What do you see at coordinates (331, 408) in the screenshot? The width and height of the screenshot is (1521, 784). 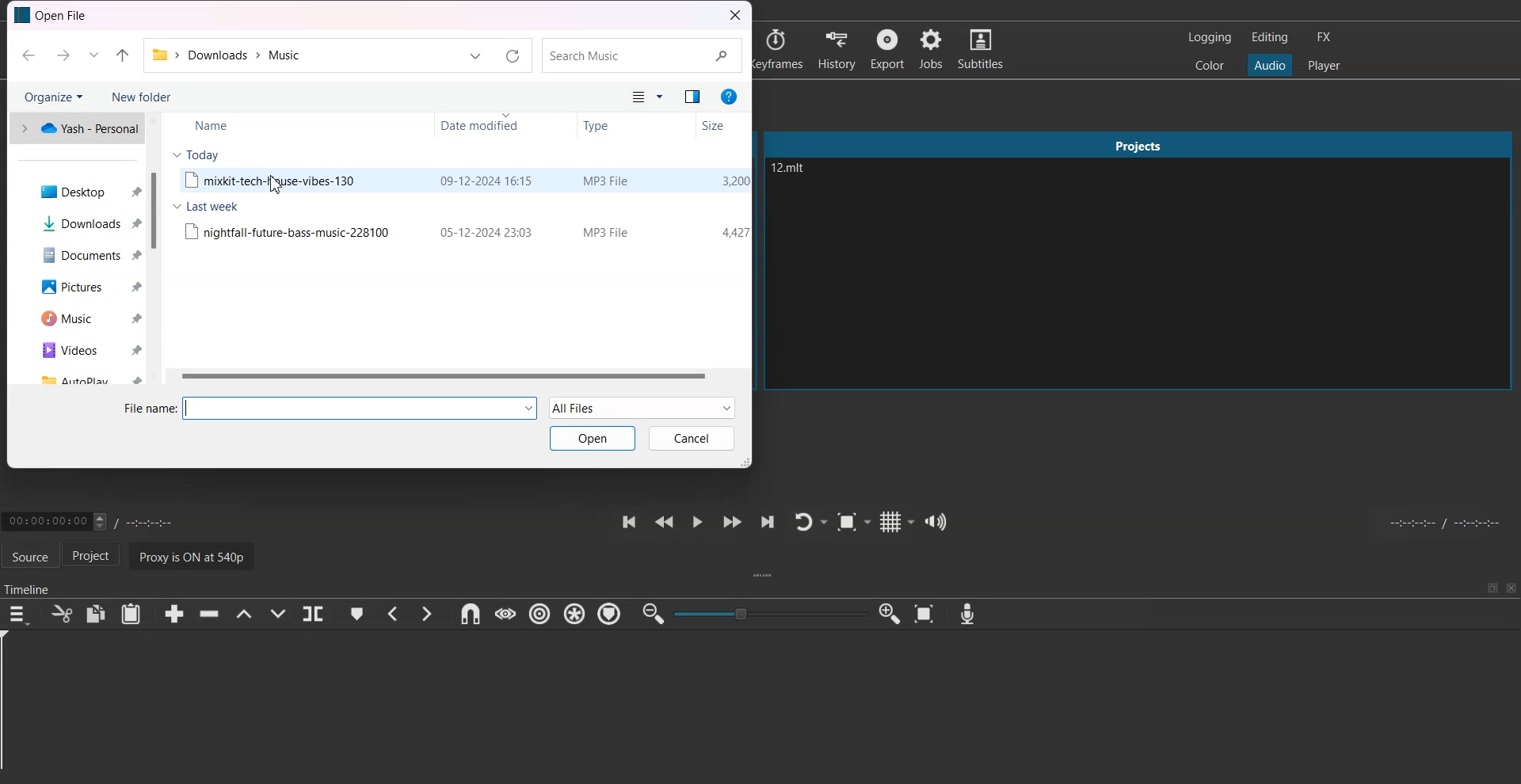 I see `Enter File NAme` at bounding box center [331, 408].